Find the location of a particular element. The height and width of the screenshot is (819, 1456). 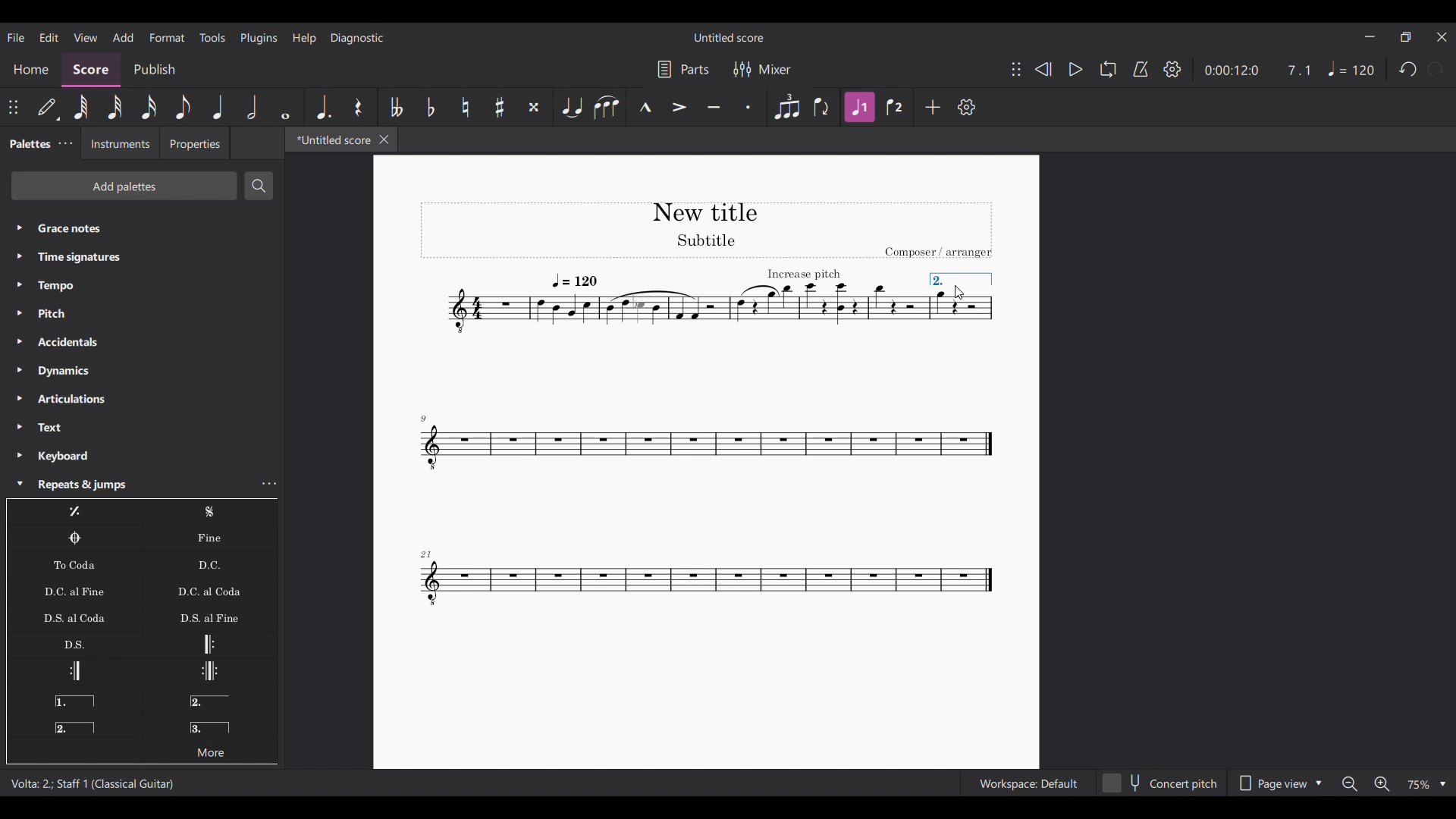

D.C. is located at coordinates (209, 565).